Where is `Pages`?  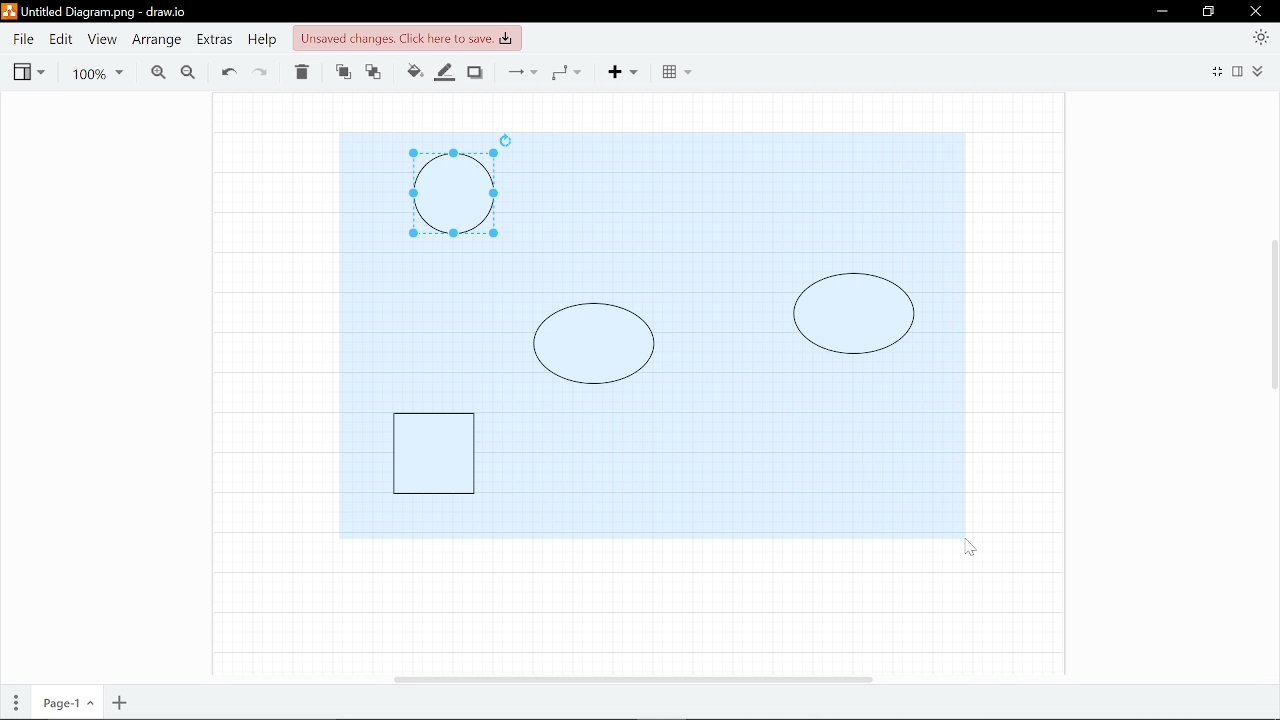
Pages is located at coordinates (14, 704).